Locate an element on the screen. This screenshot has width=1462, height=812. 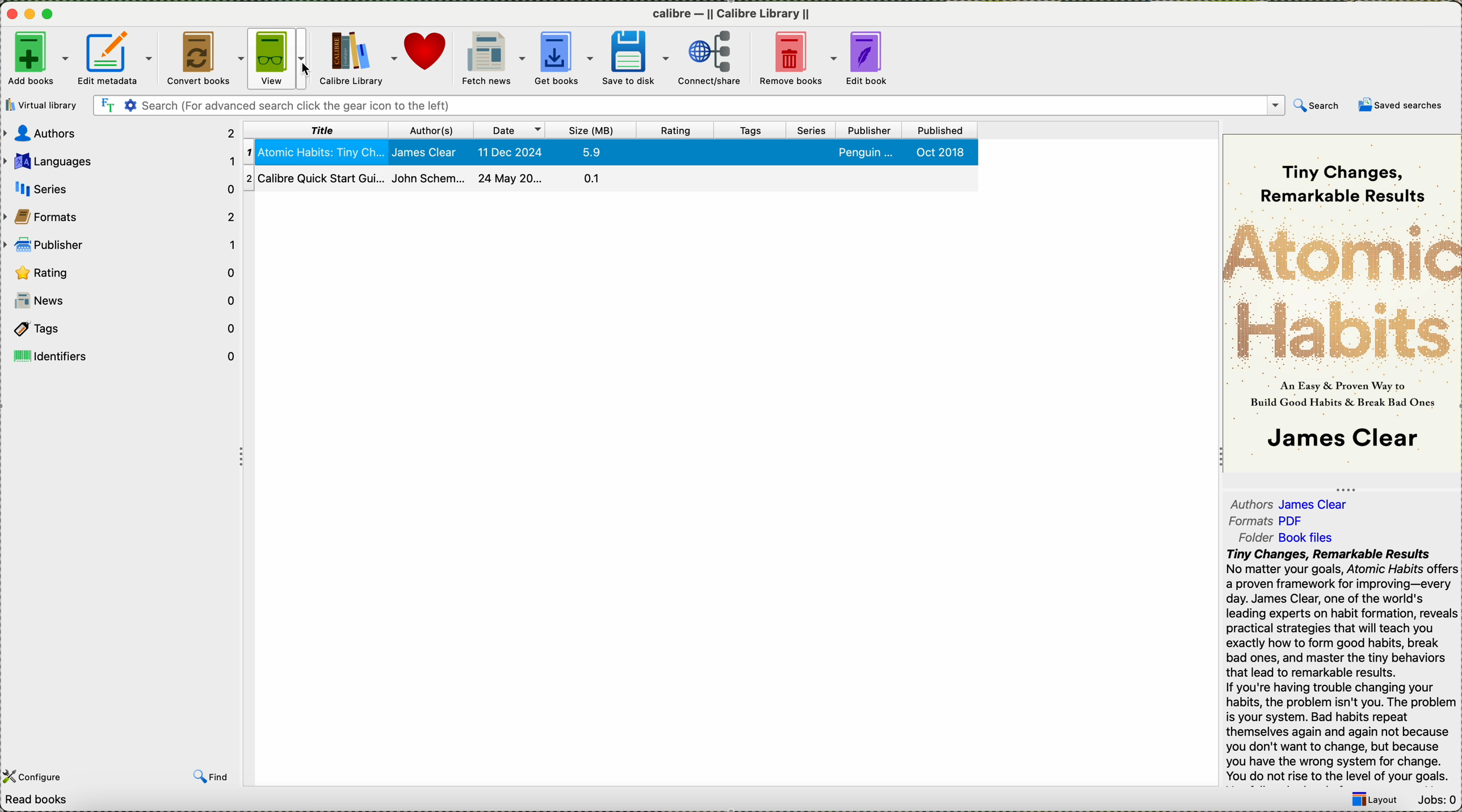
layout is located at coordinates (1376, 800).